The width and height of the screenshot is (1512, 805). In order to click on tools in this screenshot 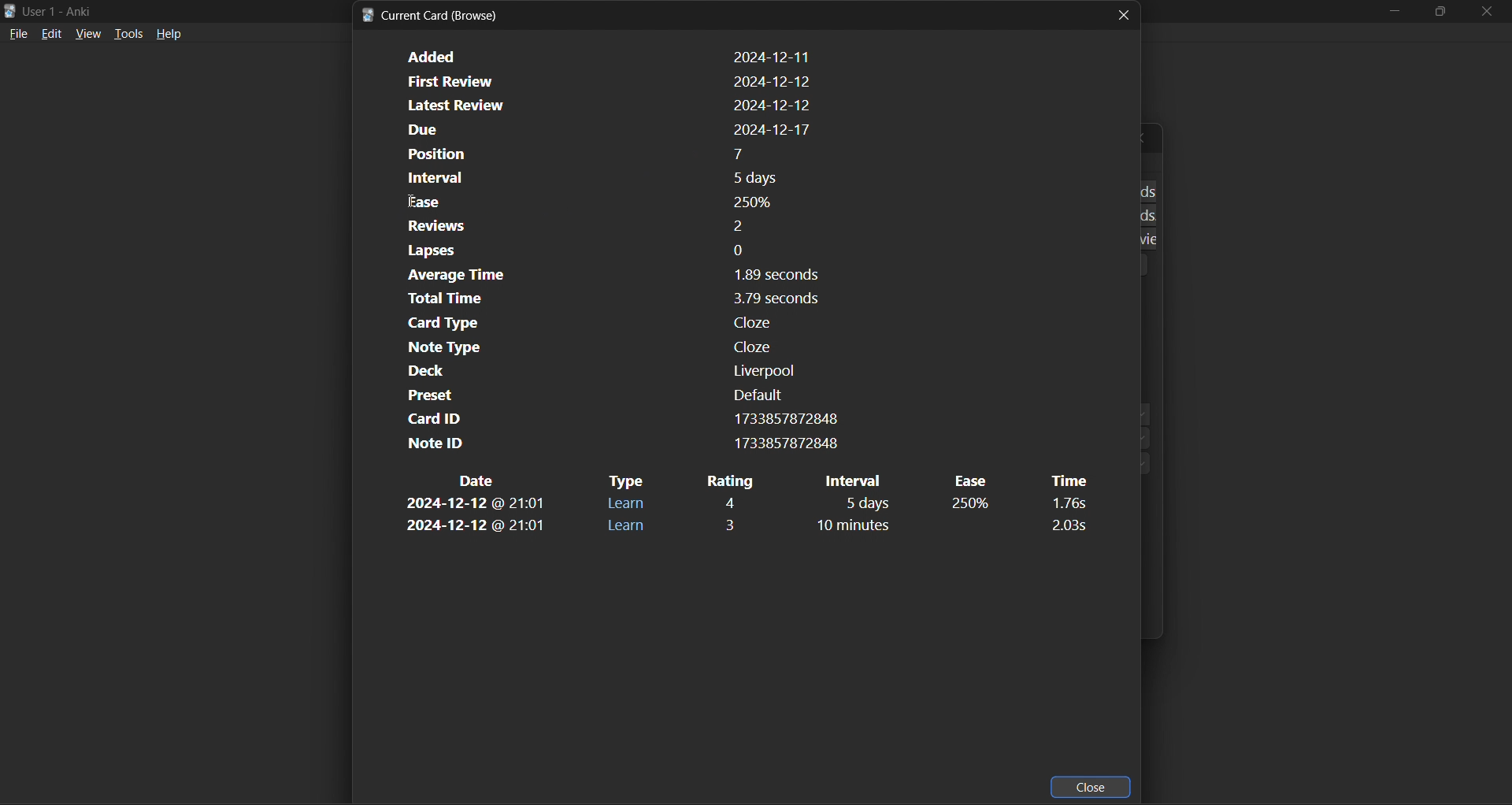, I will do `click(128, 35)`.